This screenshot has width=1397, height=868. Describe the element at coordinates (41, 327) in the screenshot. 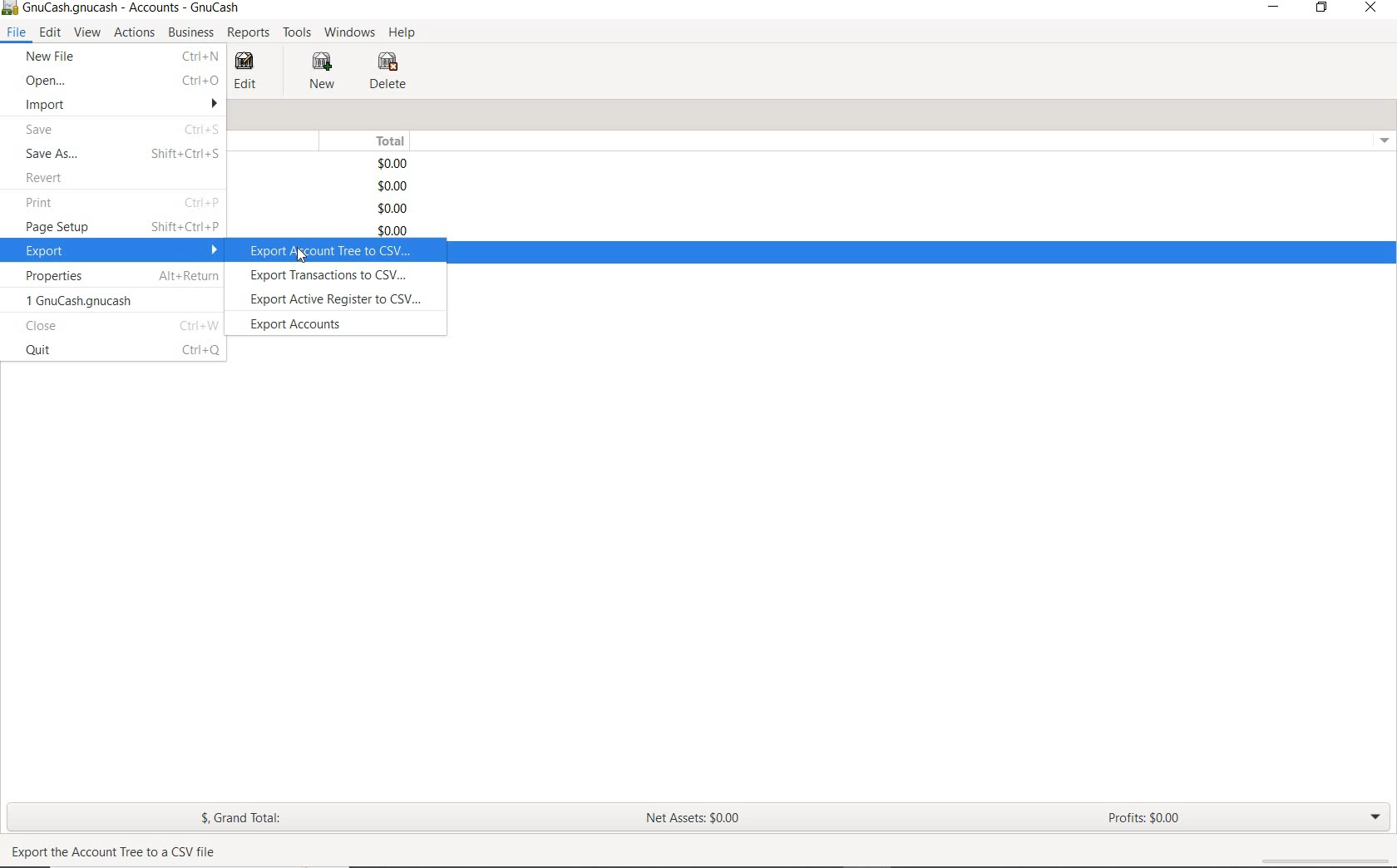

I see `close` at that location.